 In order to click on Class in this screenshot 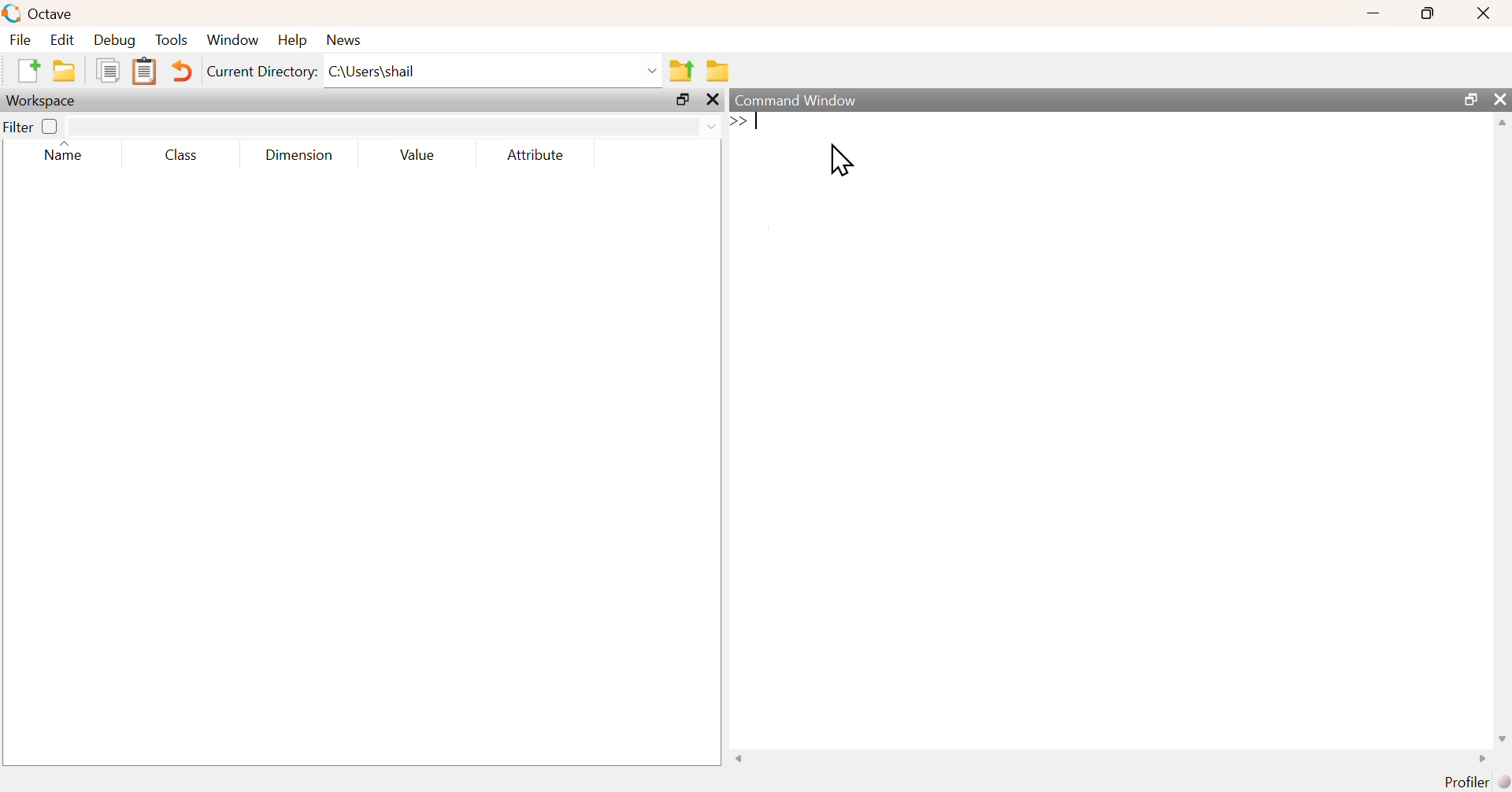, I will do `click(177, 156)`.